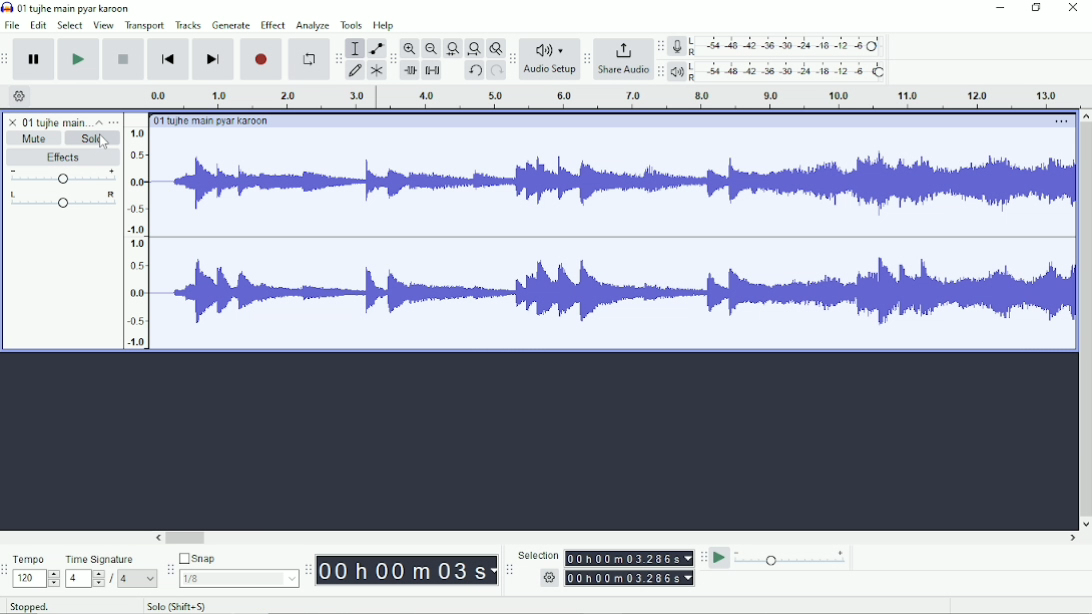 The height and width of the screenshot is (614, 1092). I want to click on Undo, so click(474, 70).